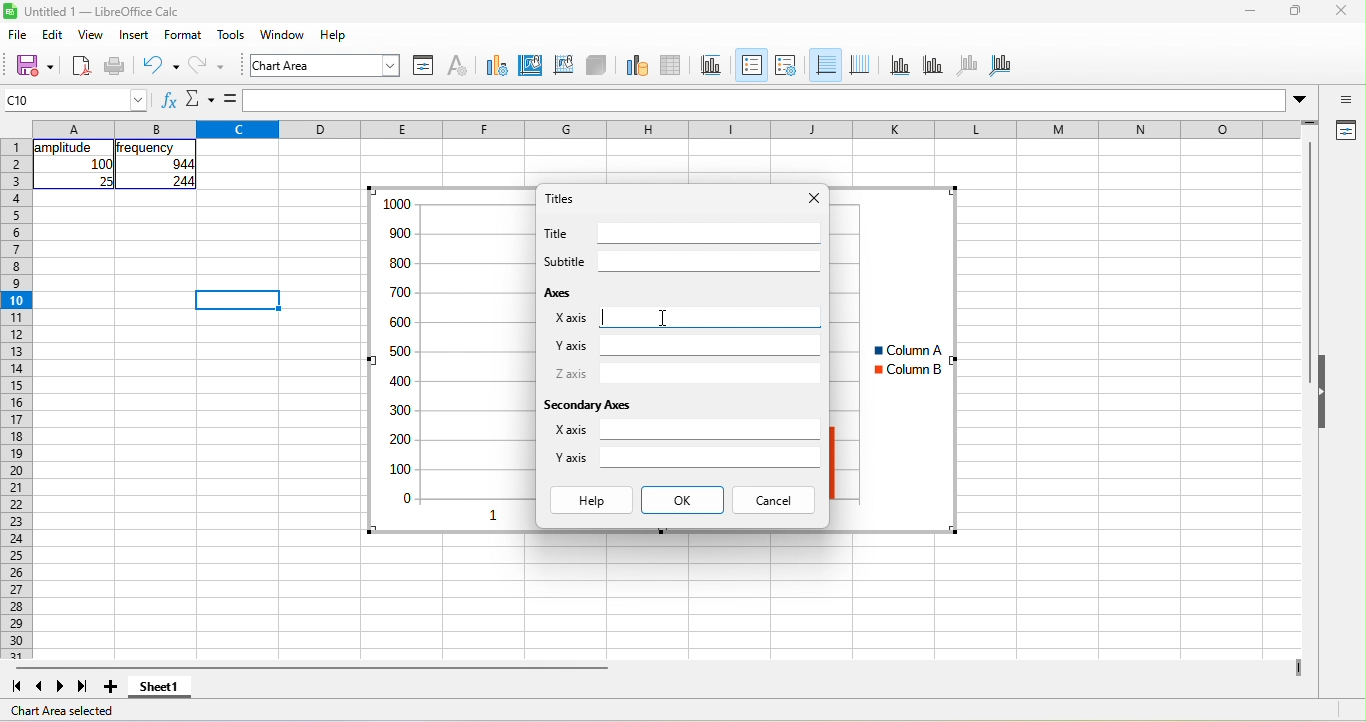  I want to click on cell name, so click(74, 100).